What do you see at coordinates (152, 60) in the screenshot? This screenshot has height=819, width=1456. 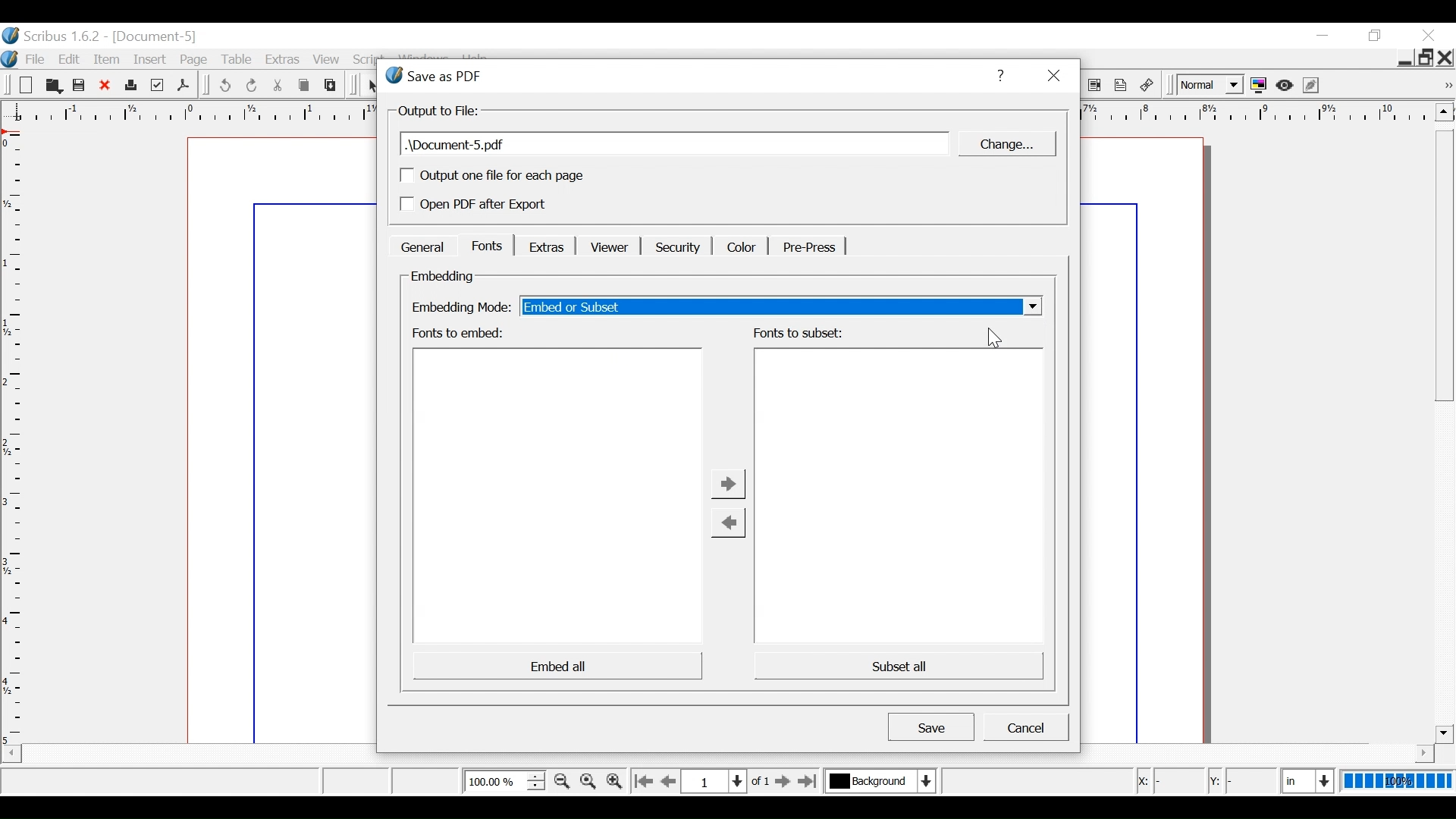 I see `Insert ` at bounding box center [152, 60].